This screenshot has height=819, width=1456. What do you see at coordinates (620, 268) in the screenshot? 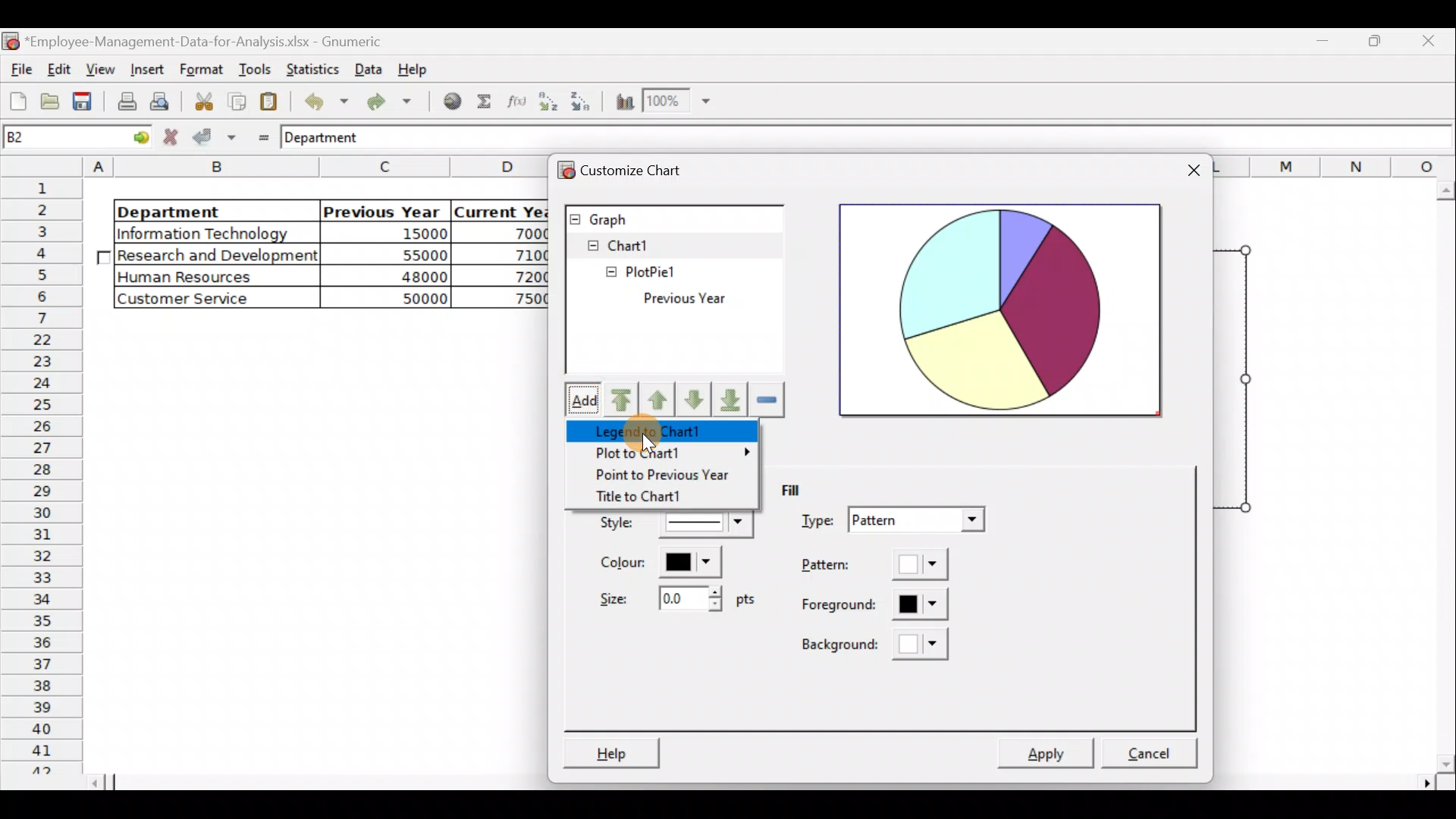
I see `PlotPie1` at bounding box center [620, 268].